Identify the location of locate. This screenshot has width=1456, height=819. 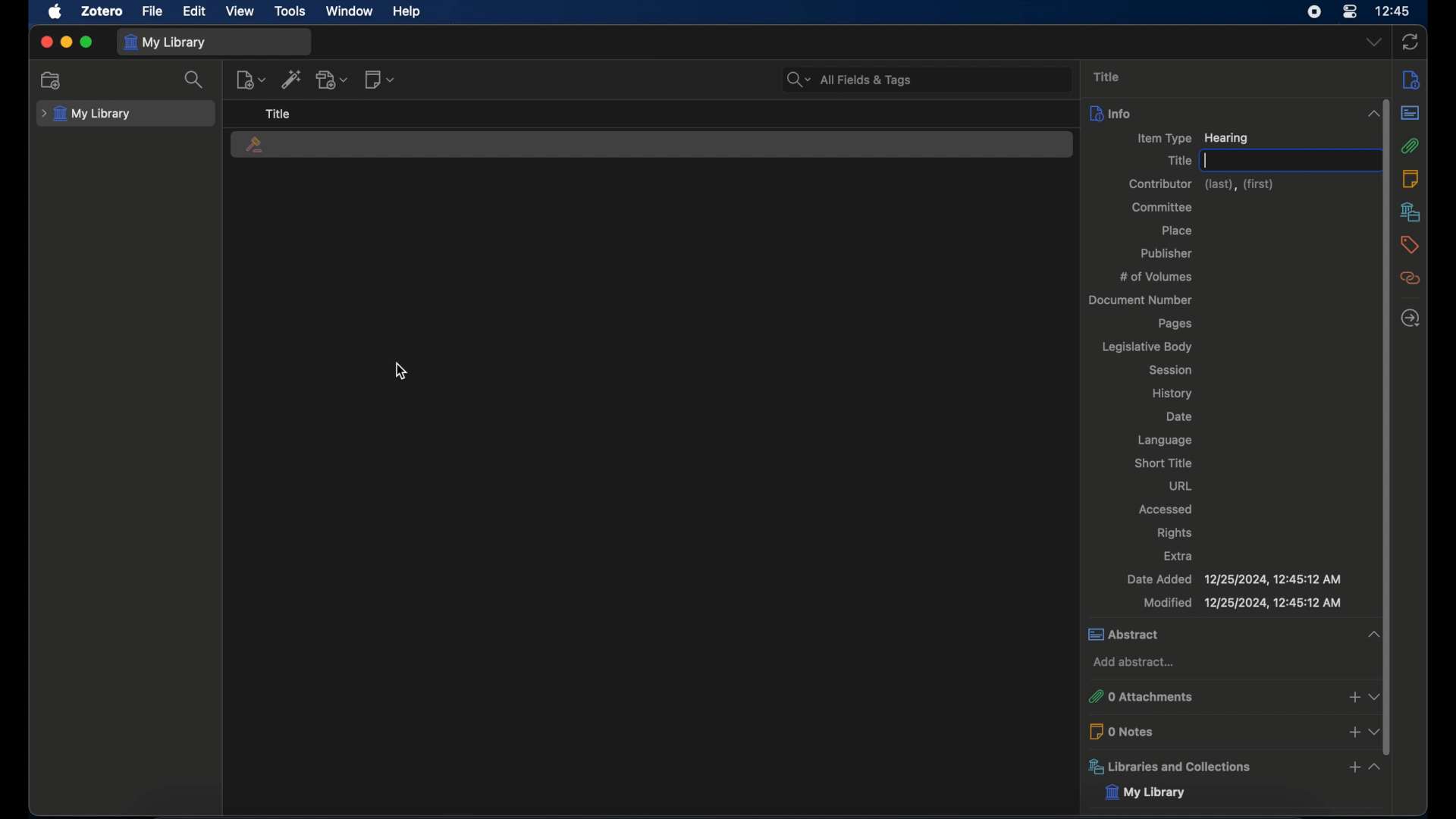
(1411, 318).